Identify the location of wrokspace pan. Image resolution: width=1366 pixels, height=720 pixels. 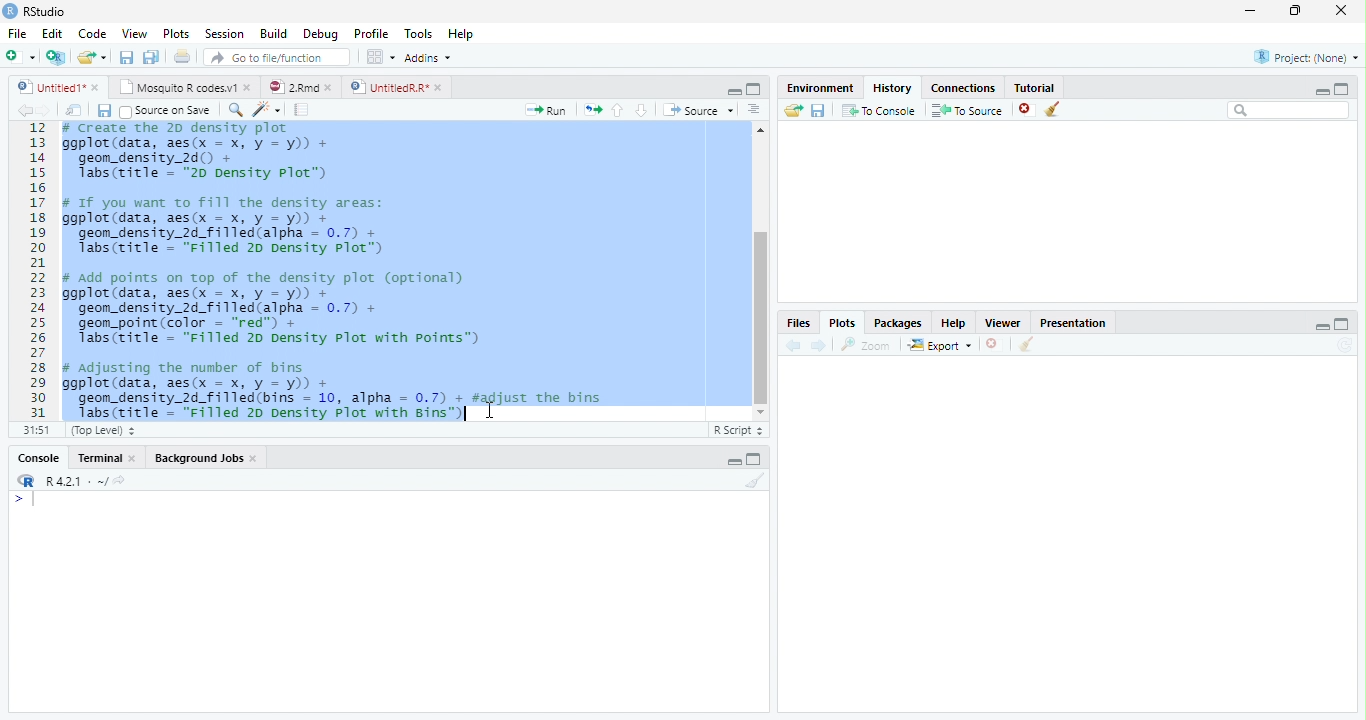
(379, 57).